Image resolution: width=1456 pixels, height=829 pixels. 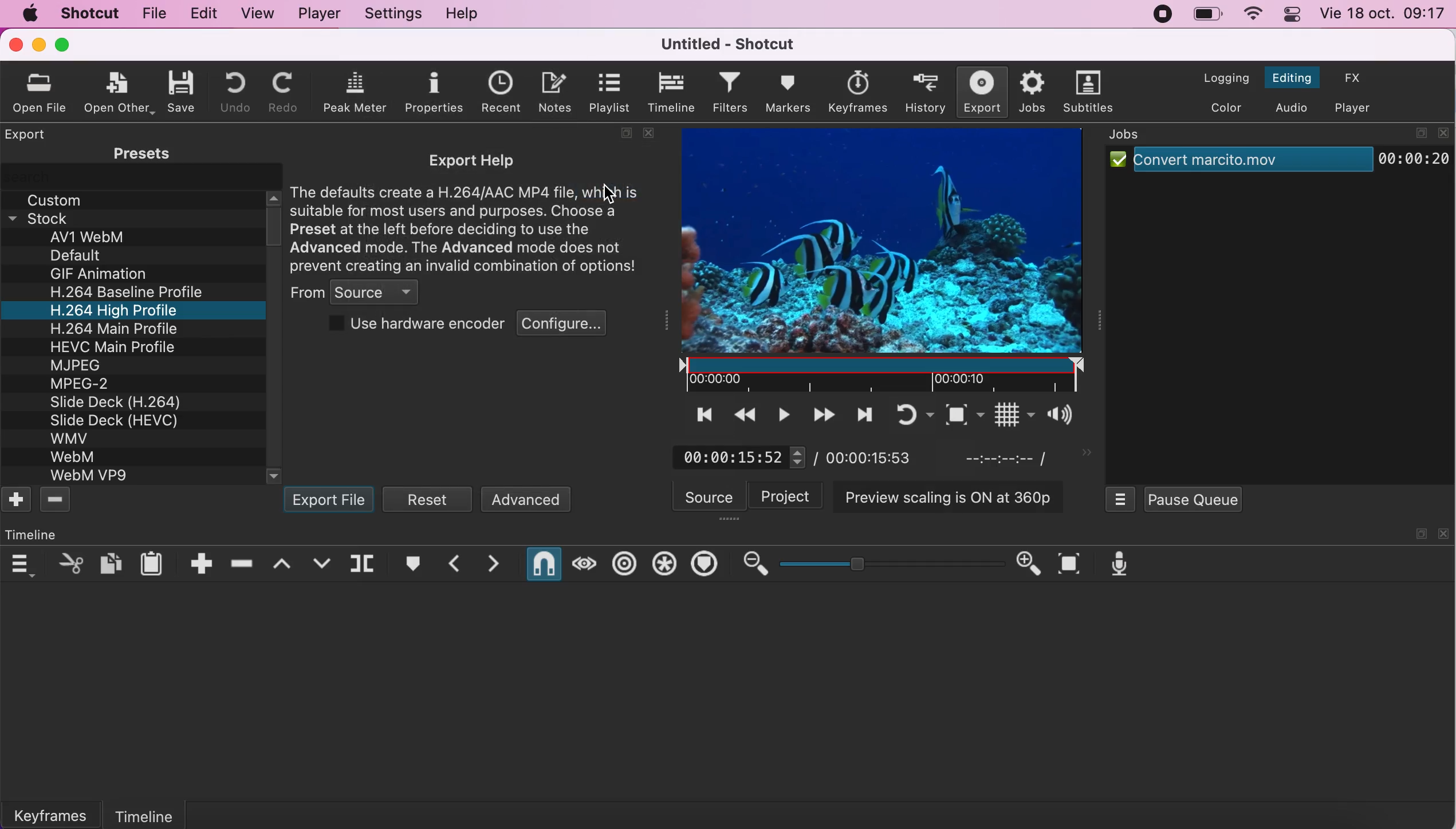 I want to click on title, so click(x=723, y=44).